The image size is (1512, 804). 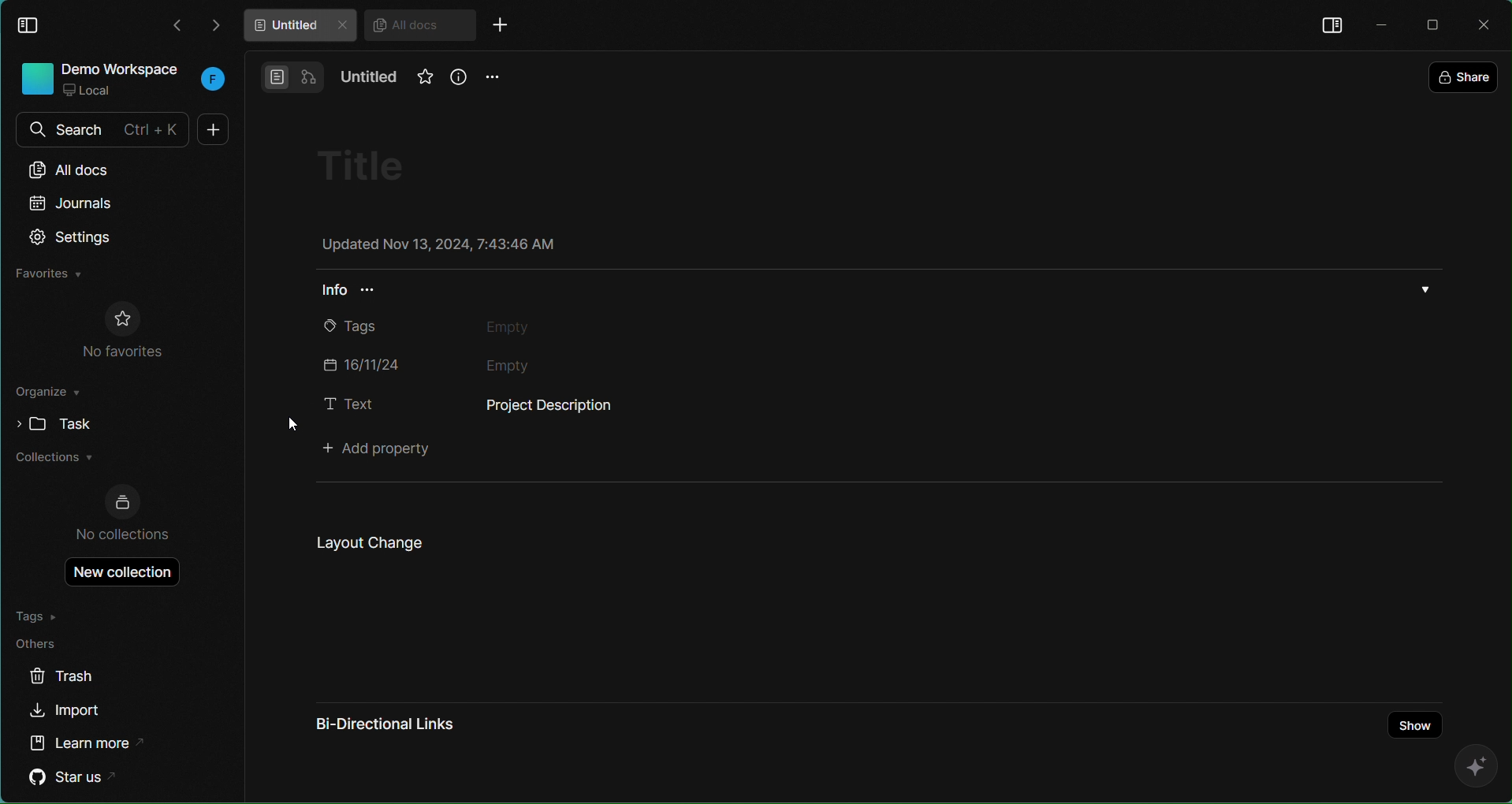 I want to click on favorites, so click(x=49, y=274).